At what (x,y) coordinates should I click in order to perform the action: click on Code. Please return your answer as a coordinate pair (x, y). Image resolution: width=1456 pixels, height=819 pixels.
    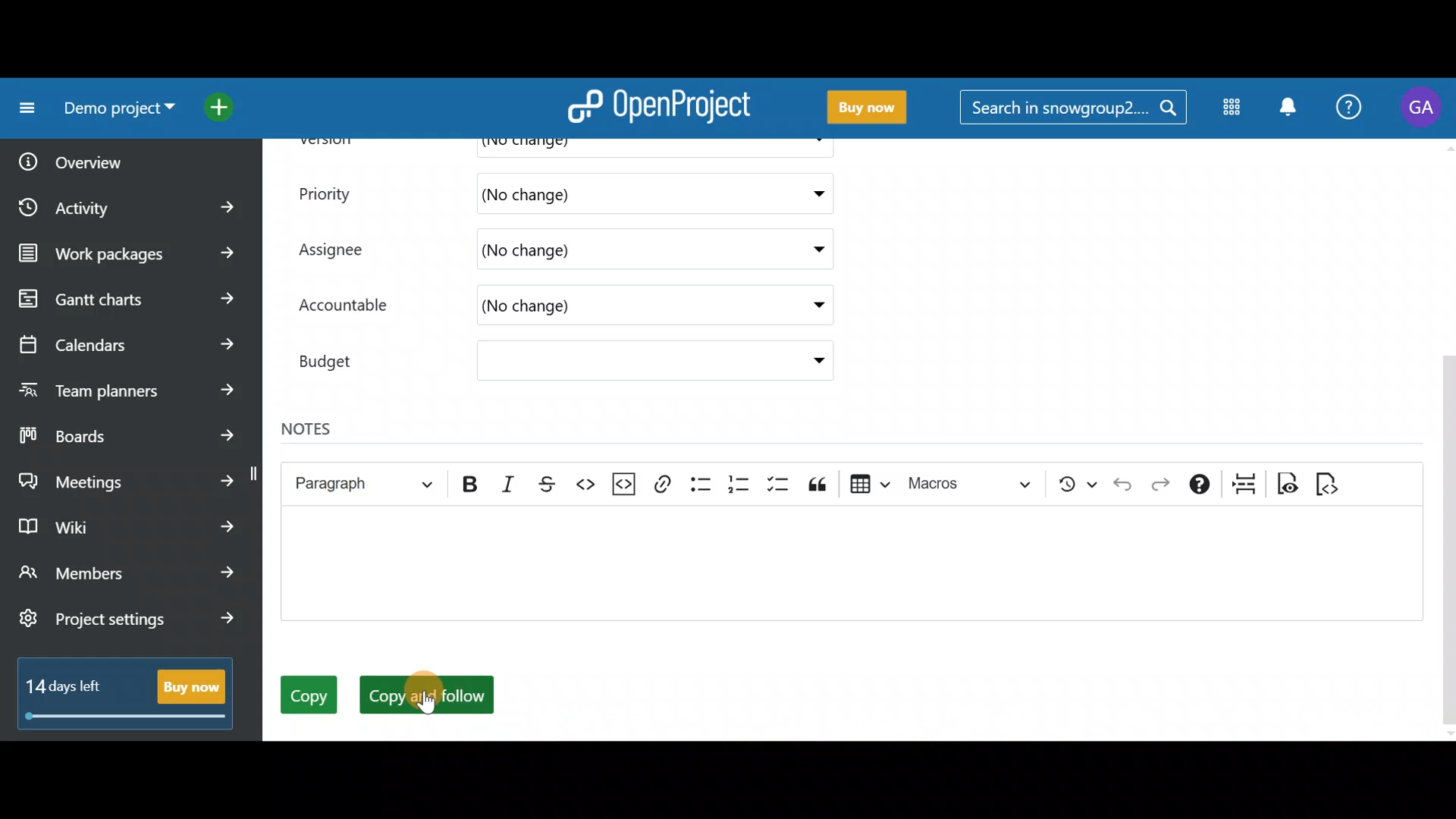
    Looking at the image, I should click on (587, 485).